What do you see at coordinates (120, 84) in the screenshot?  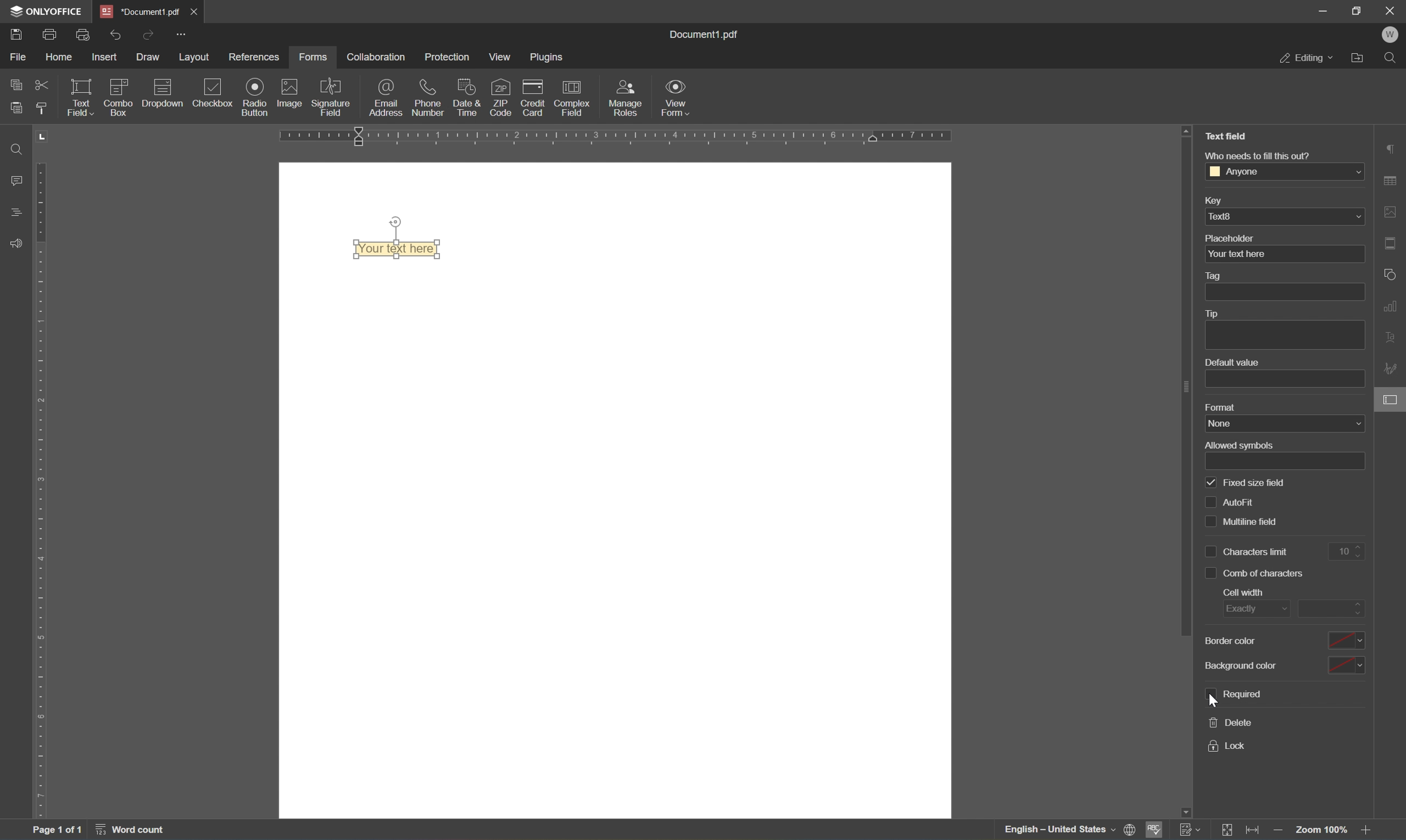 I see `icon` at bounding box center [120, 84].